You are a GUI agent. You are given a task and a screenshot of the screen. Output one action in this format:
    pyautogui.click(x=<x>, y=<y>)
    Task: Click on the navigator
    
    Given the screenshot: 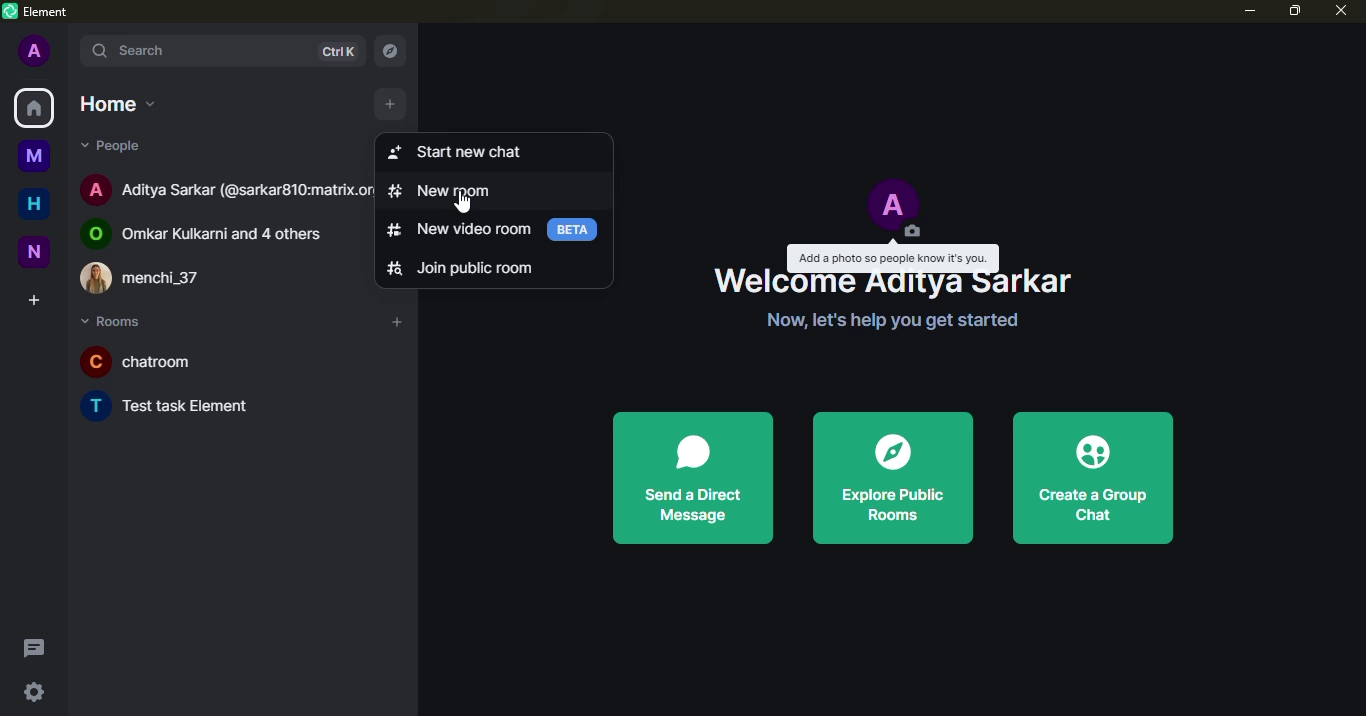 What is the action you would take?
    pyautogui.click(x=388, y=52)
    